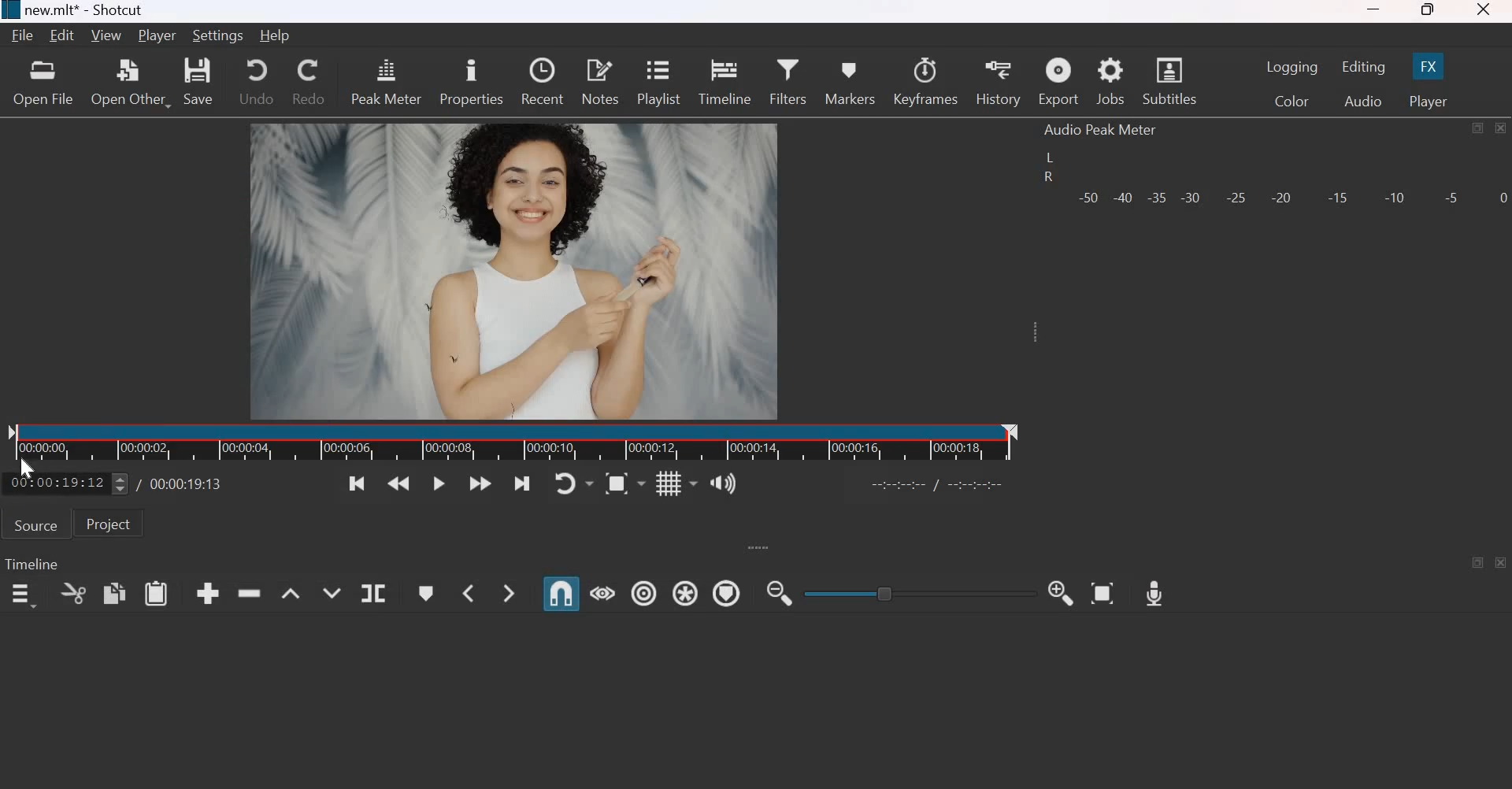  I want to click on Toggle player looping, so click(573, 482).